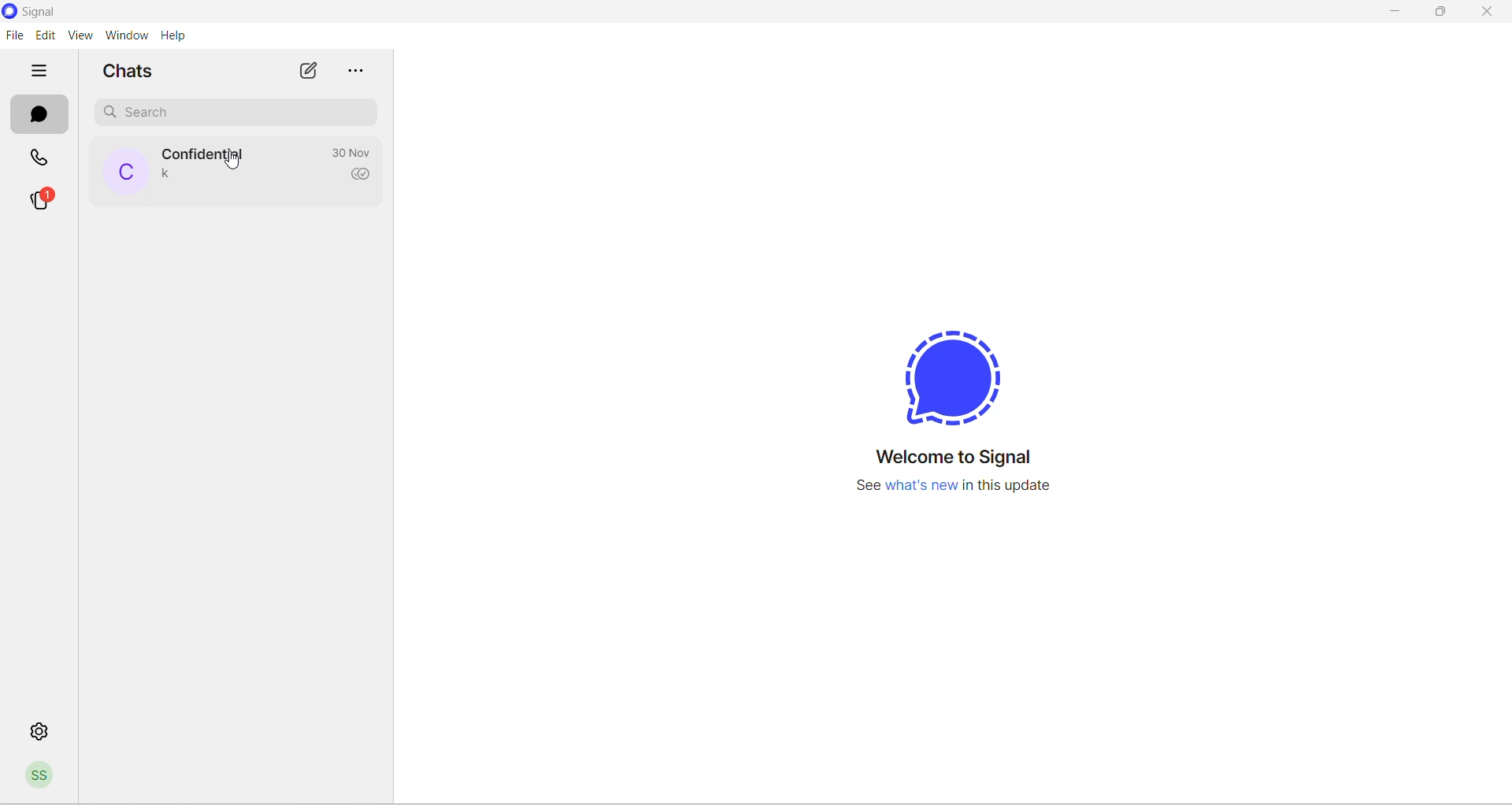  Describe the element at coordinates (172, 175) in the screenshot. I see `last message` at that location.